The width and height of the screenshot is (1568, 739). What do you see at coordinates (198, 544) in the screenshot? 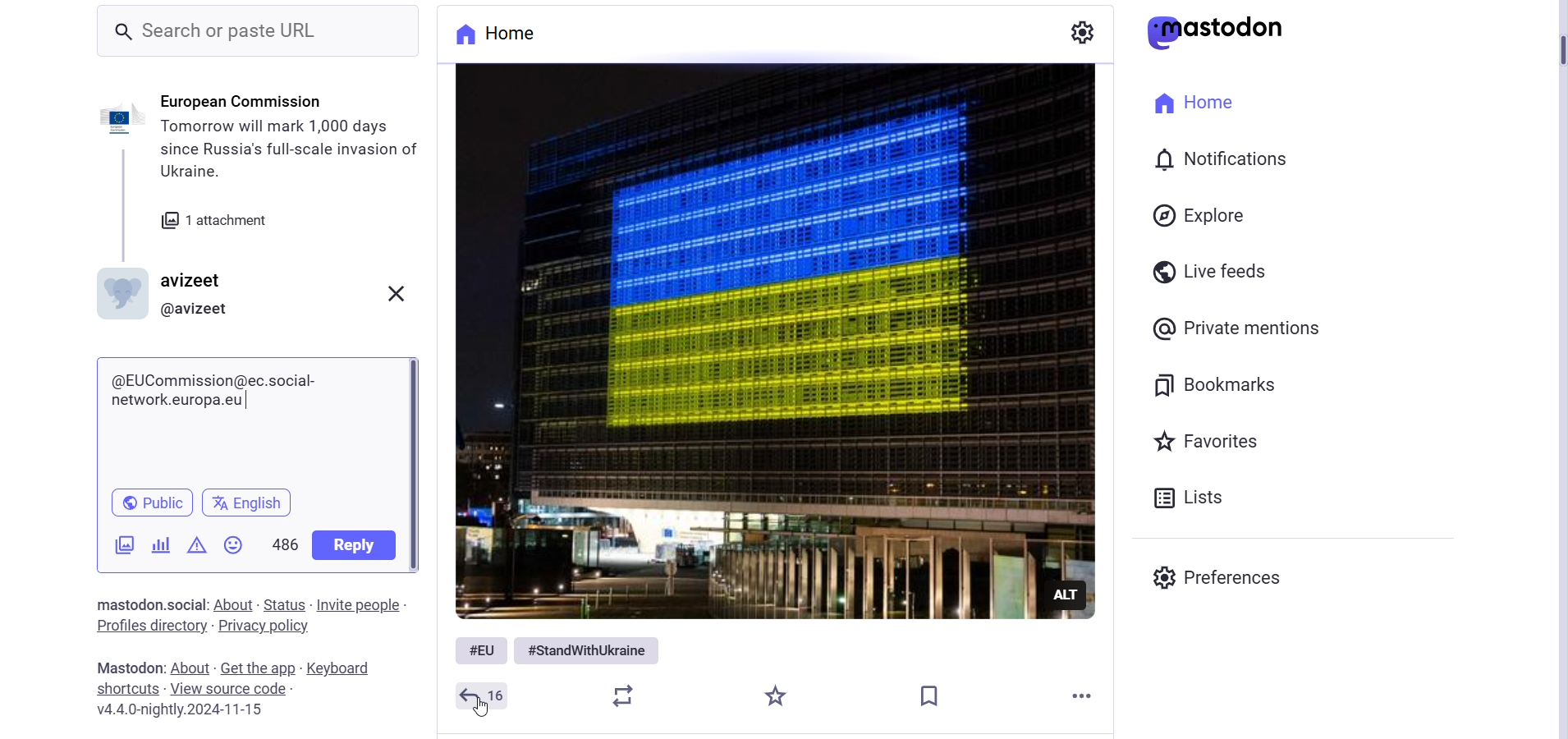
I see `Content Warning` at bounding box center [198, 544].